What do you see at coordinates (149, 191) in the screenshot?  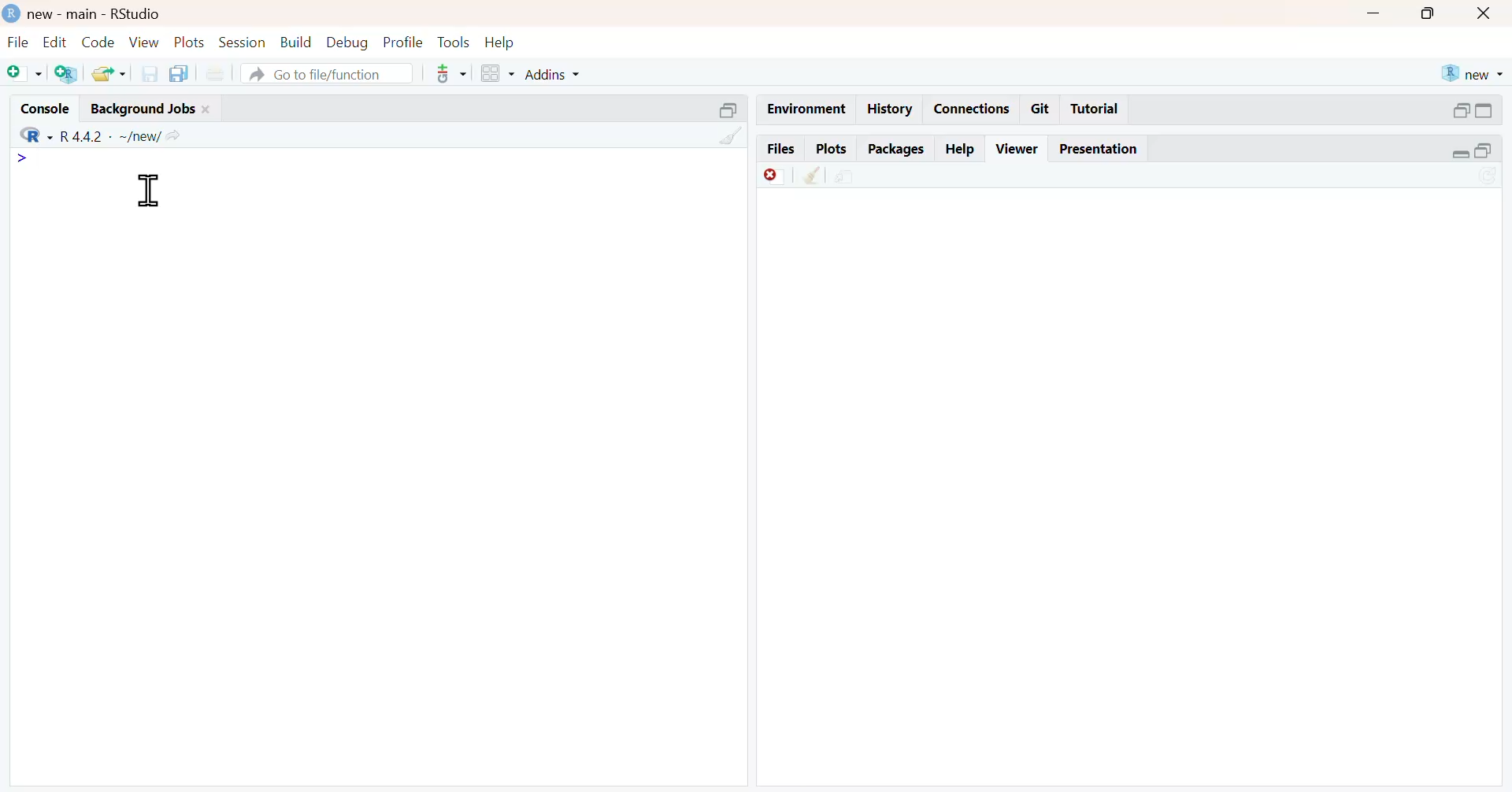 I see `cursor` at bounding box center [149, 191].